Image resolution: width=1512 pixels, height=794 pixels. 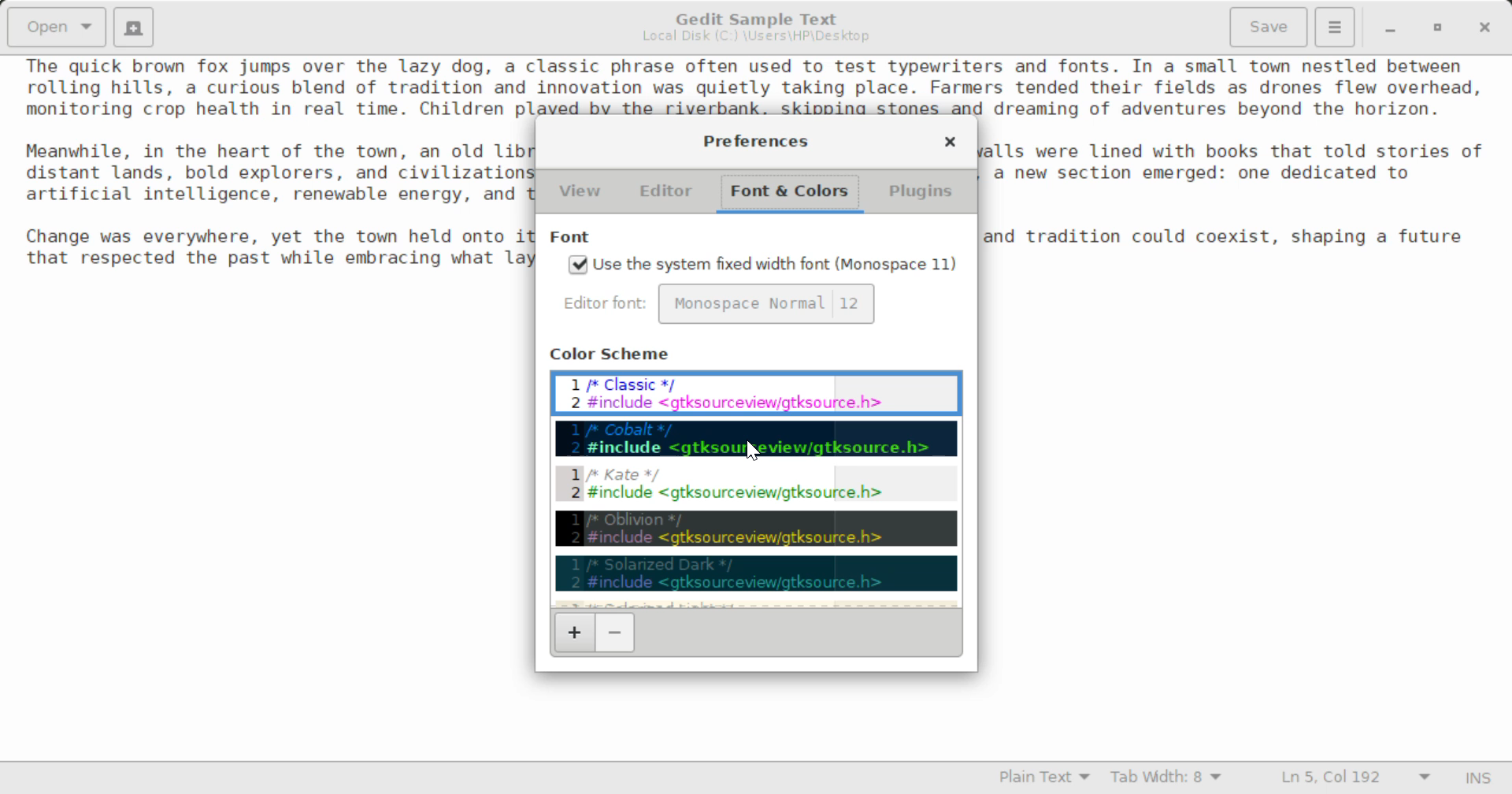 I want to click on Plugins Tab, so click(x=918, y=194).